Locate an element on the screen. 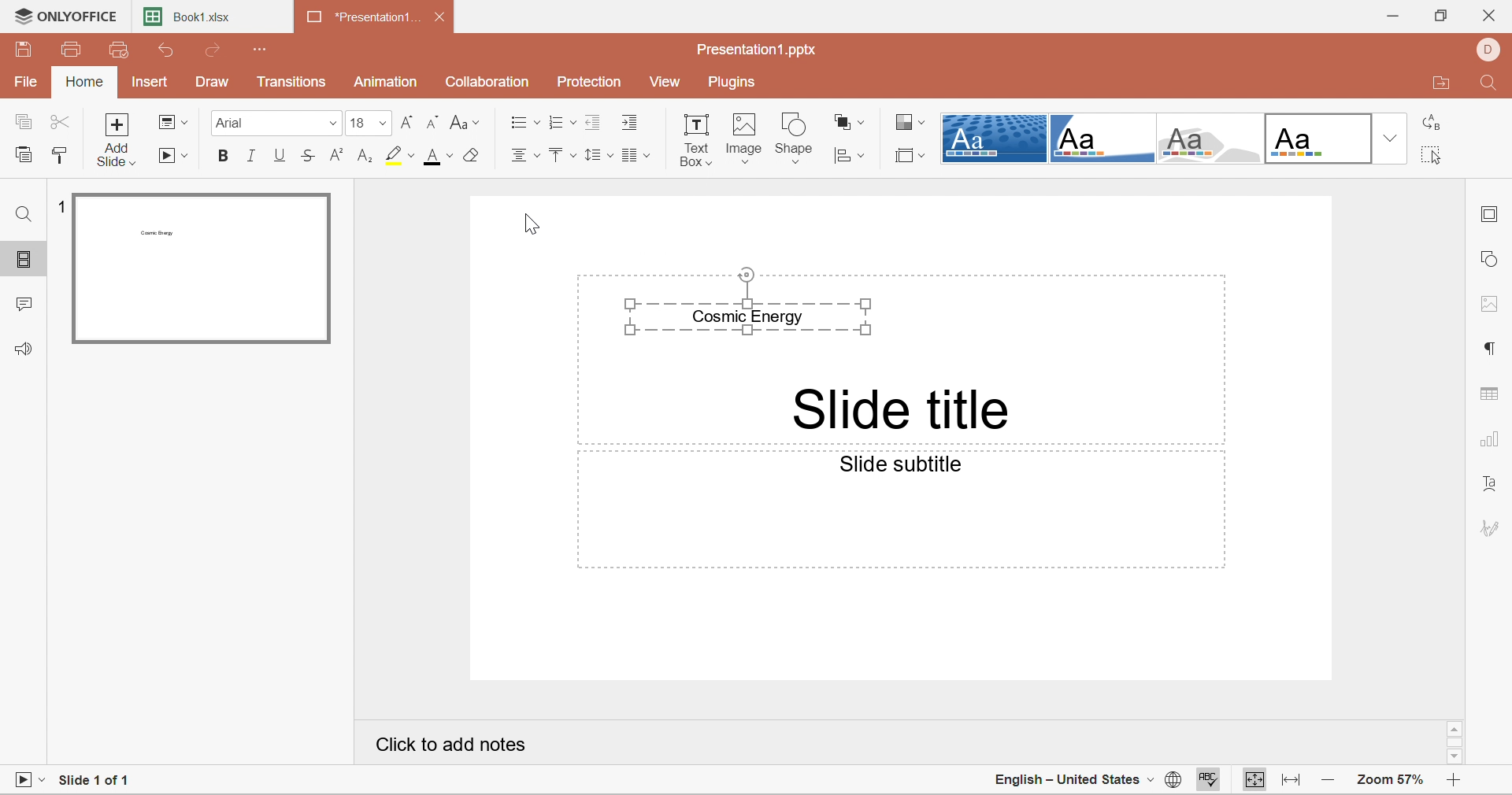  Redo is located at coordinates (219, 52).